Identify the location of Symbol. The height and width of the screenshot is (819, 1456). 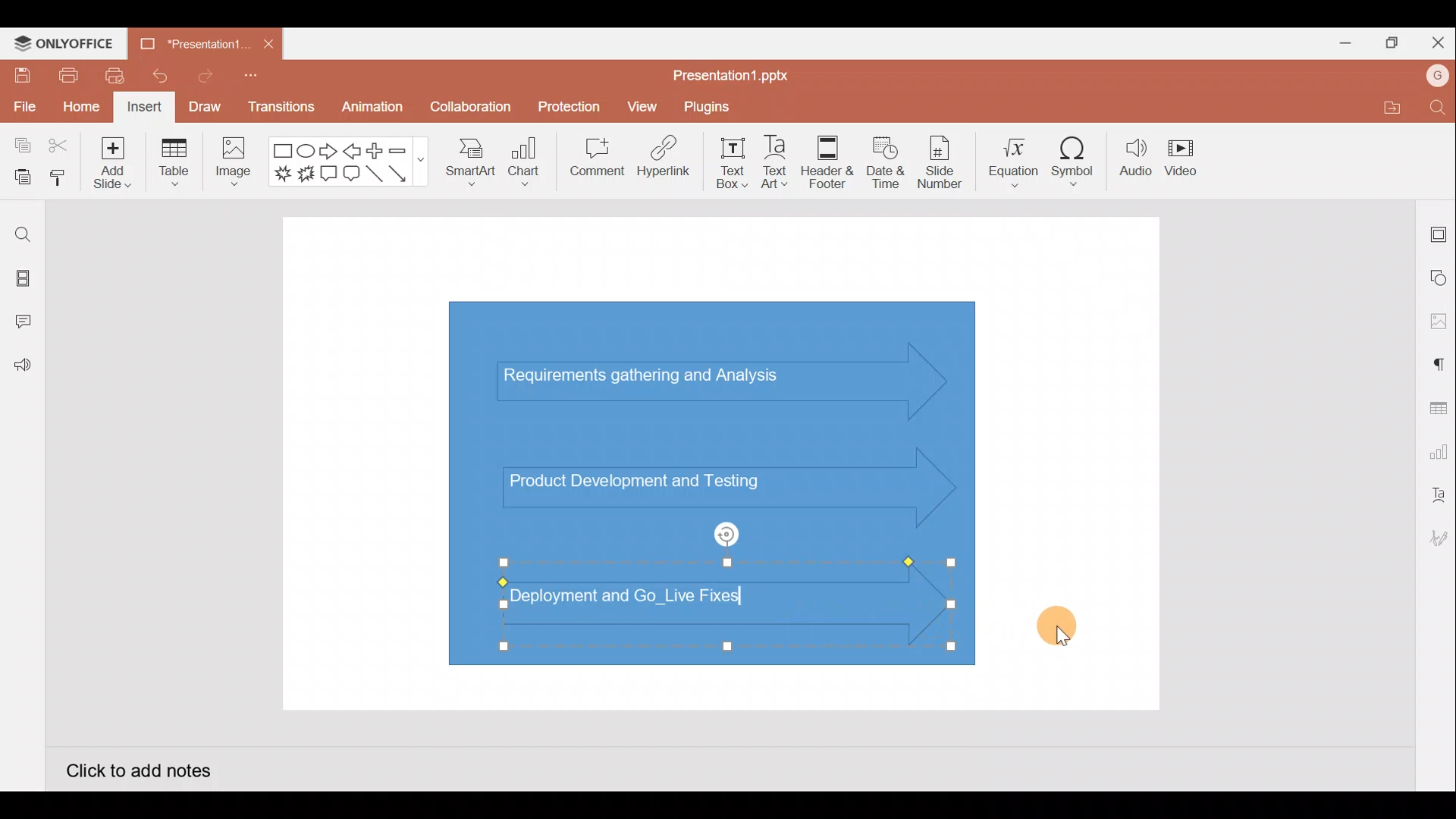
(1074, 158).